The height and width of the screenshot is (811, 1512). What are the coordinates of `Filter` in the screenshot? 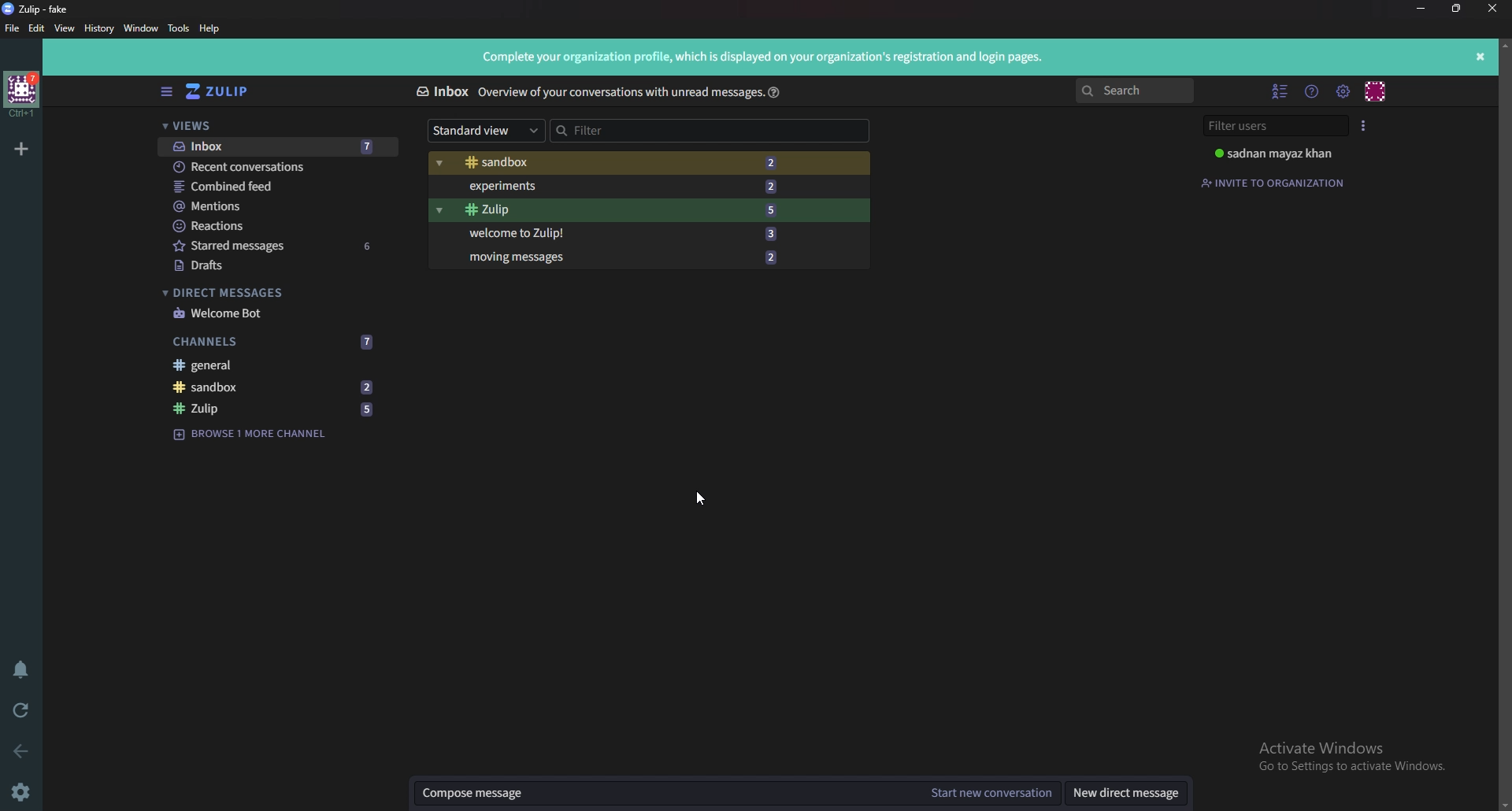 It's located at (699, 131).